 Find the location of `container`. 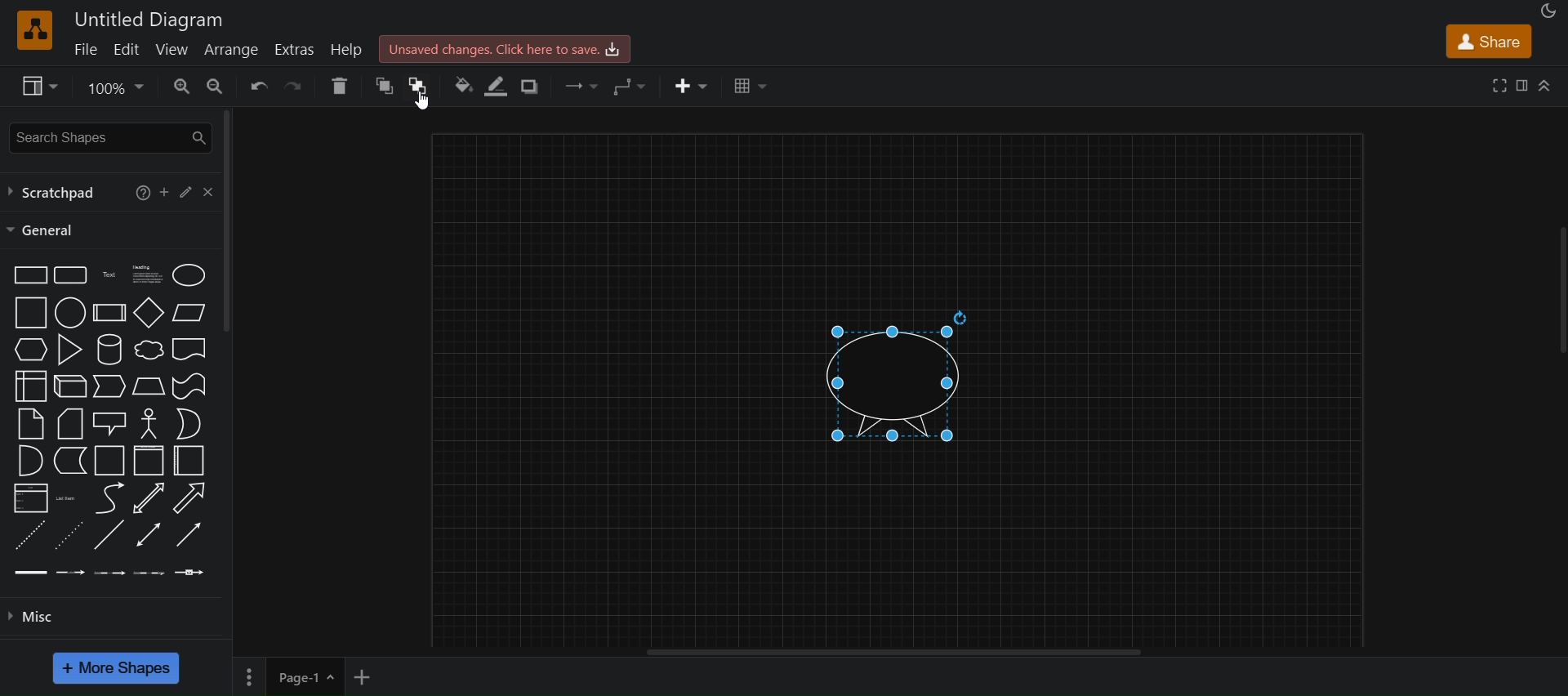

container is located at coordinates (149, 460).